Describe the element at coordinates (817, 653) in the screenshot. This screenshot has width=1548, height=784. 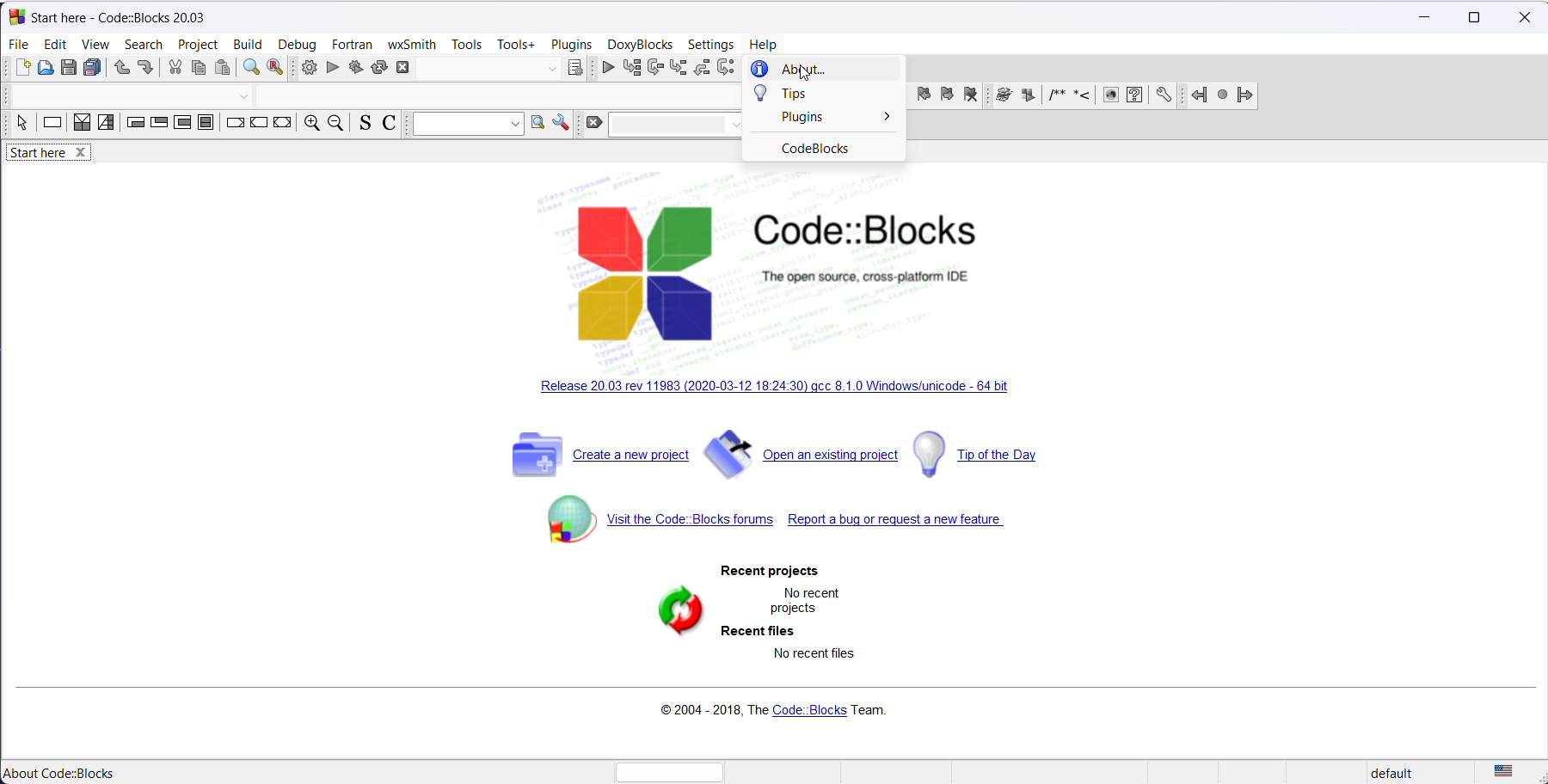
I see `no recent files` at that location.